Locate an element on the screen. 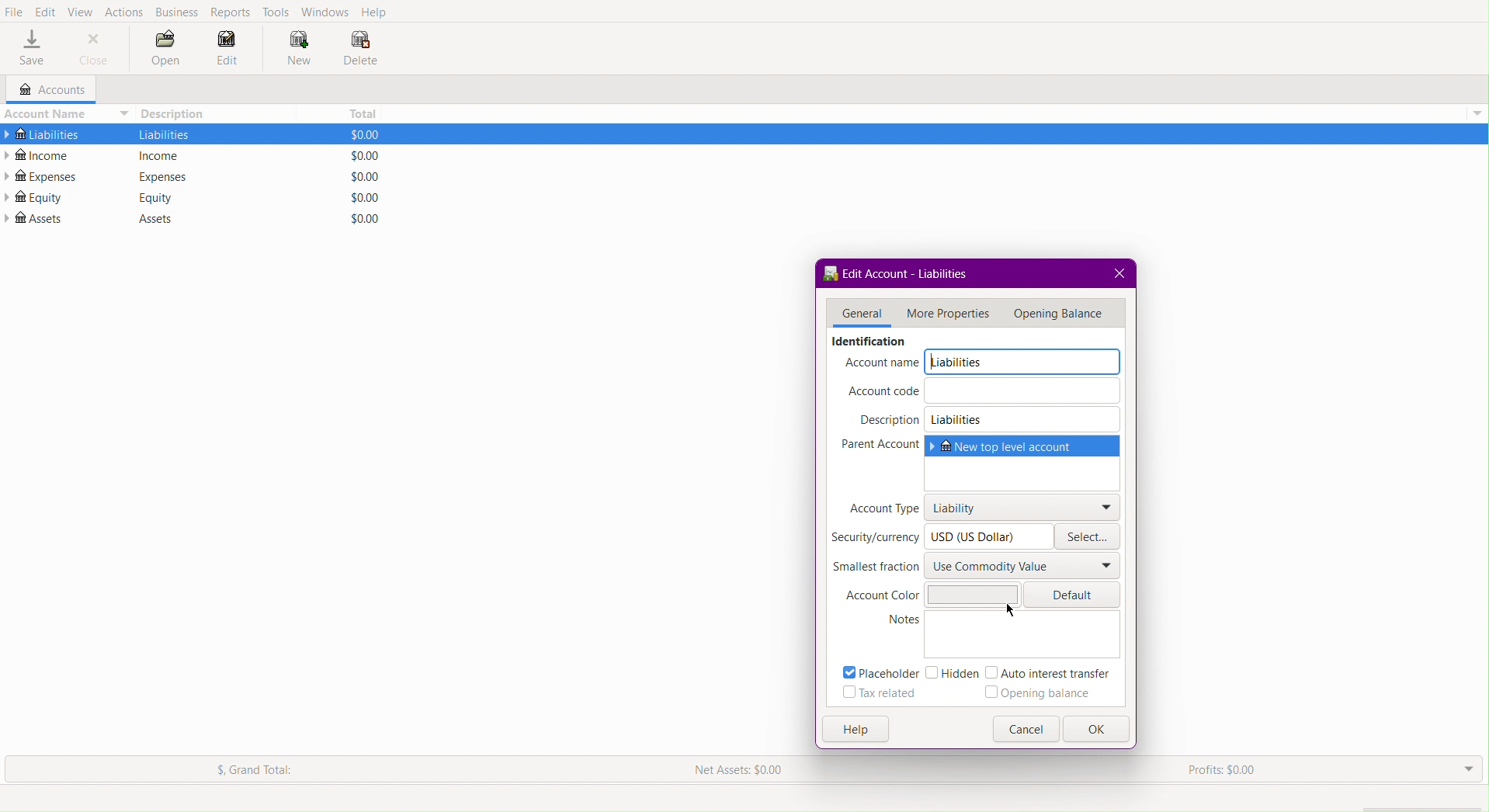 Image resolution: width=1489 pixels, height=812 pixels. $0.00 is located at coordinates (359, 177).